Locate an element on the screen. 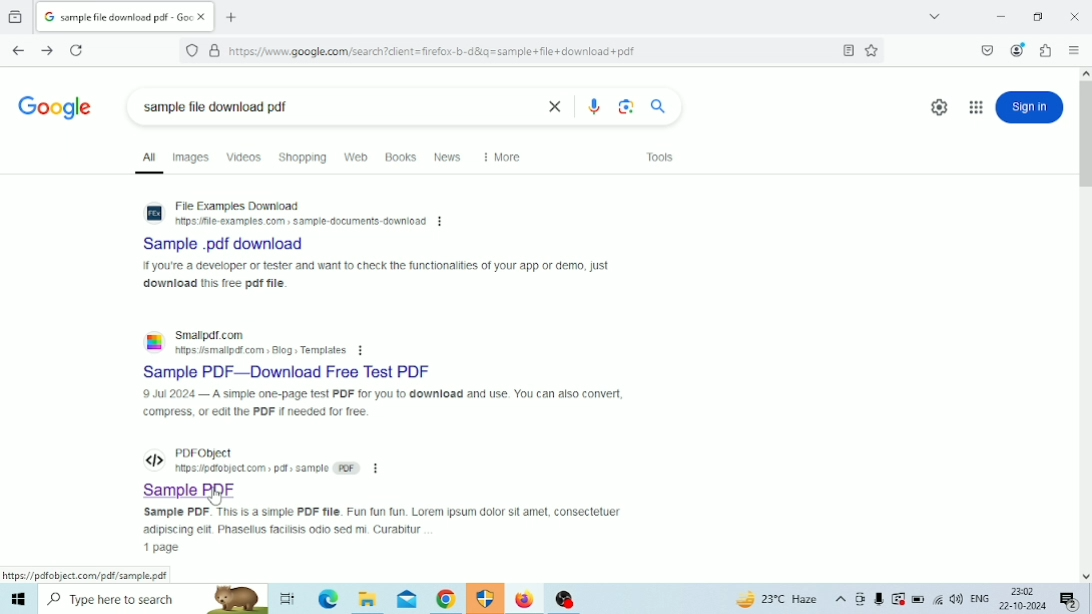 Image resolution: width=1092 pixels, height=614 pixels. Battery is located at coordinates (919, 599).